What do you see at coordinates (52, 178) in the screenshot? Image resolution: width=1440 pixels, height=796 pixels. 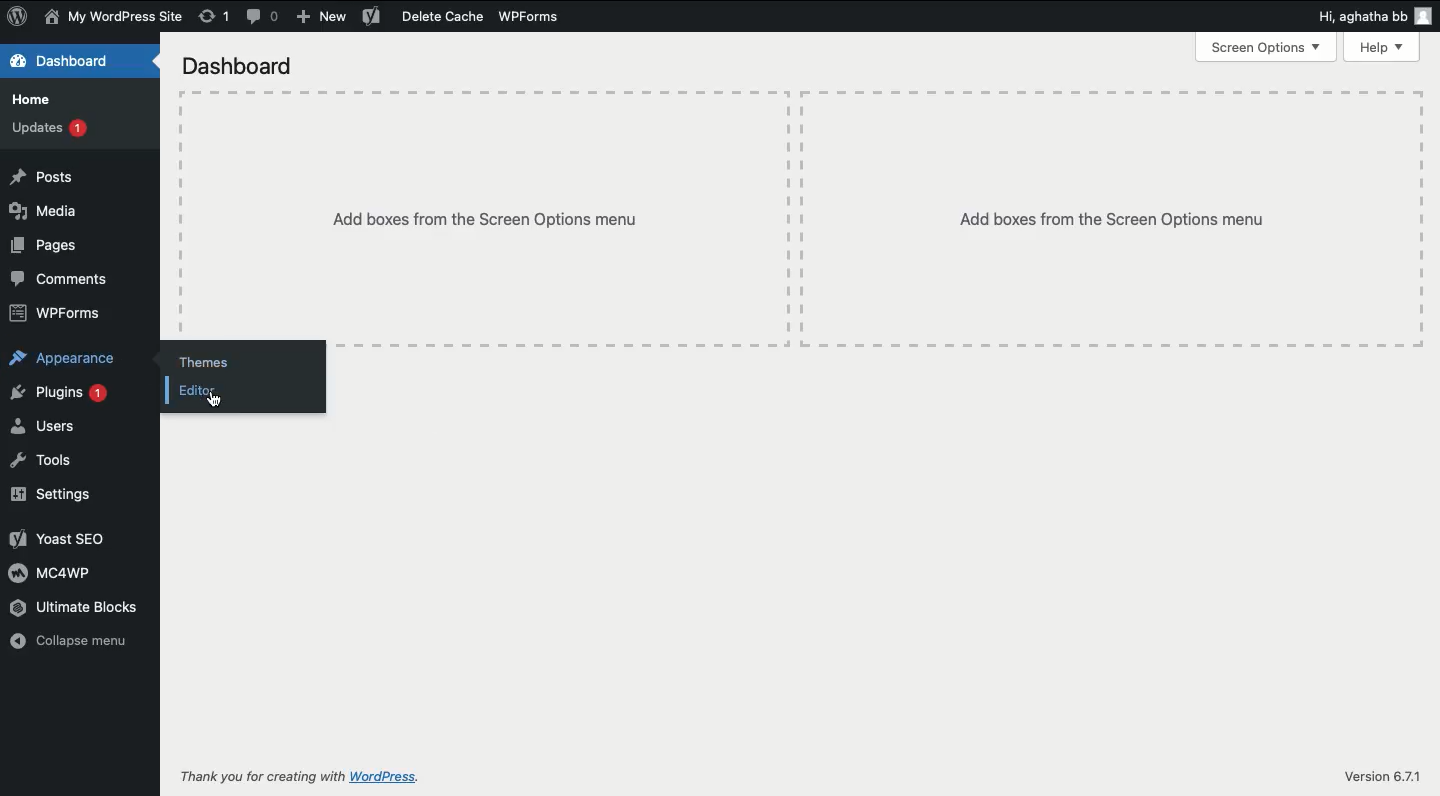 I see `Posts` at bounding box center [52, 178].